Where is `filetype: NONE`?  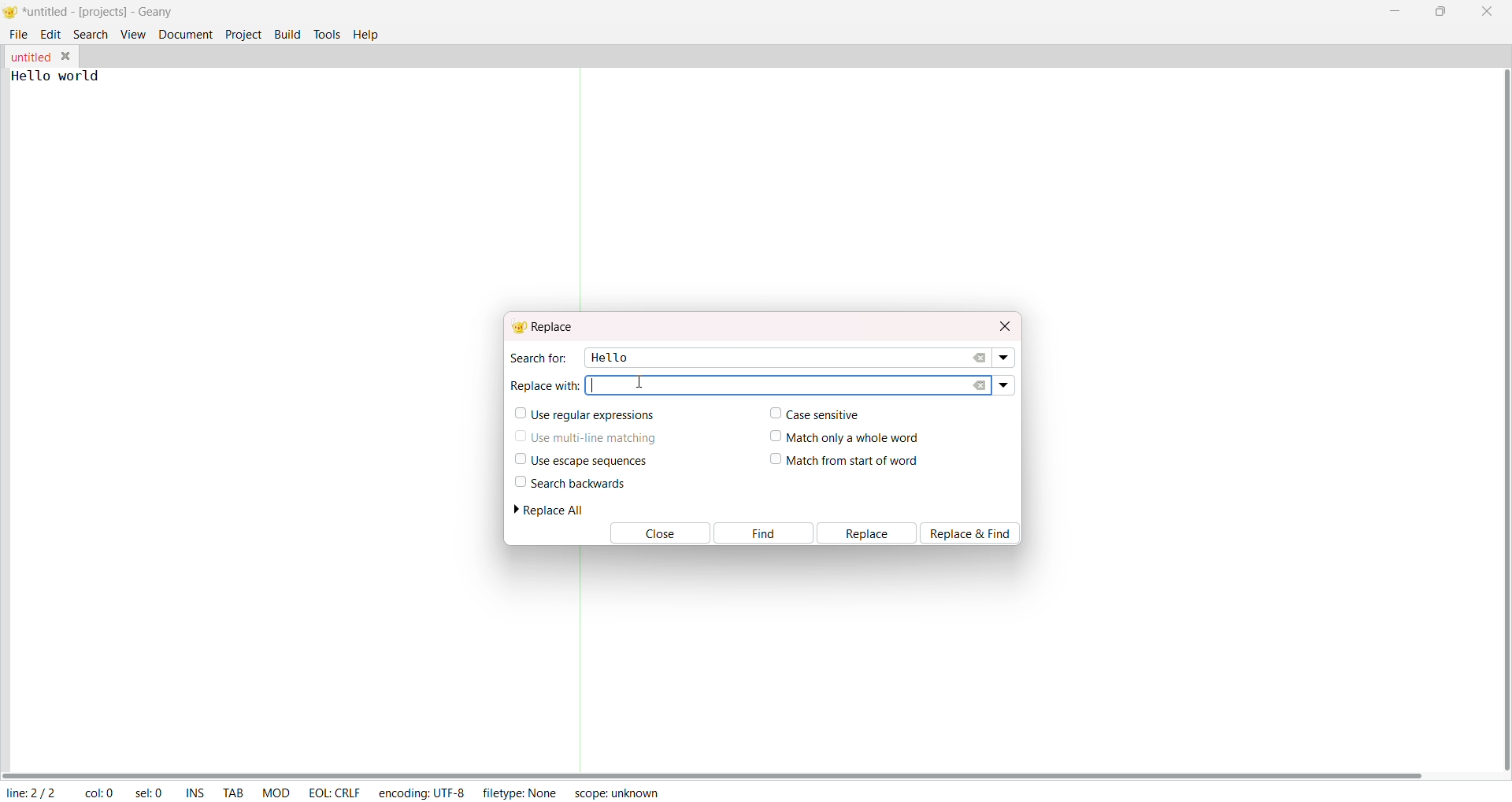
filetype: NONE is located at coordinates (520, 792).